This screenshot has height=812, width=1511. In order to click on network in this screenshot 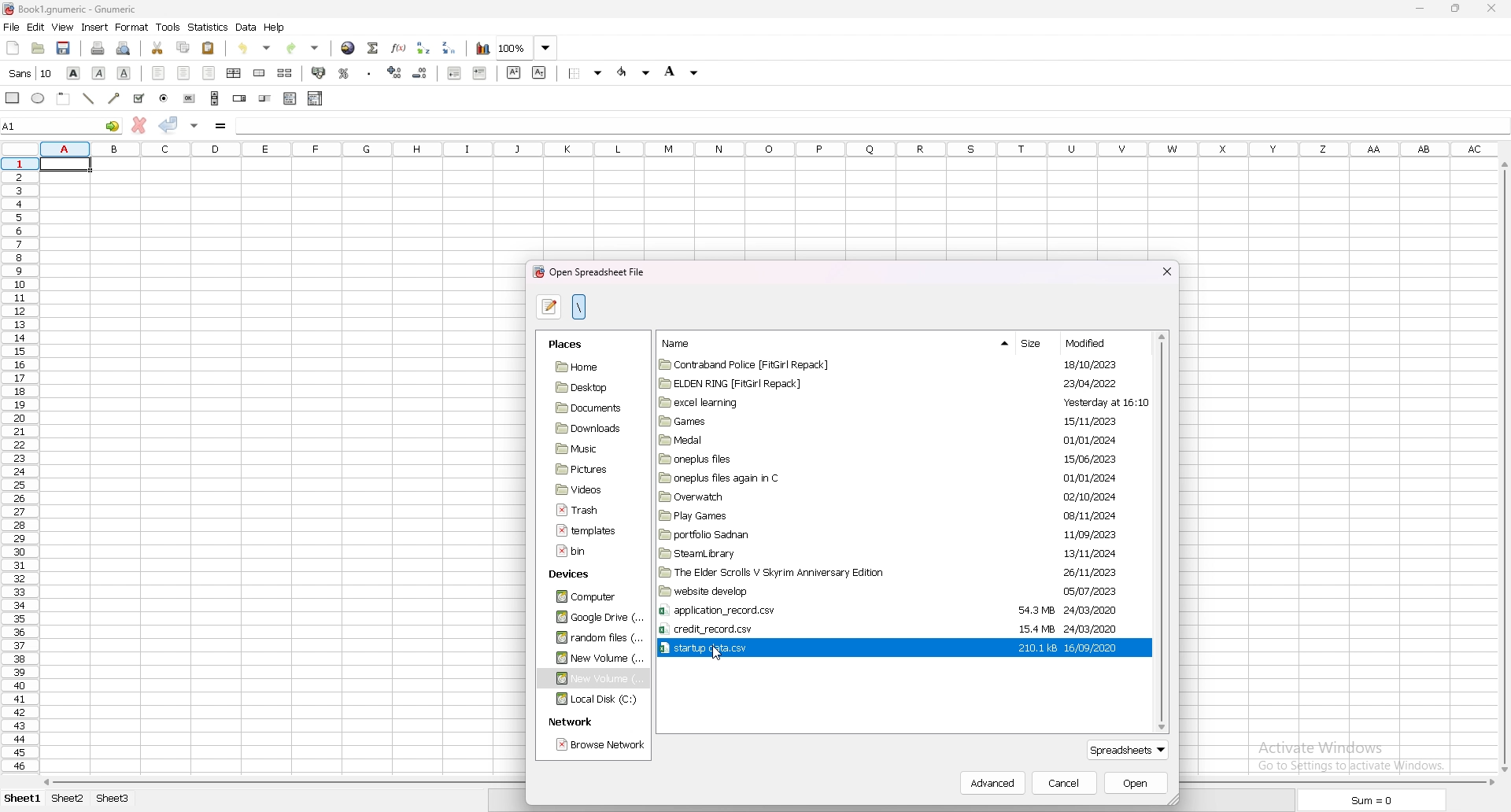, I will do `click(571, 722)`.